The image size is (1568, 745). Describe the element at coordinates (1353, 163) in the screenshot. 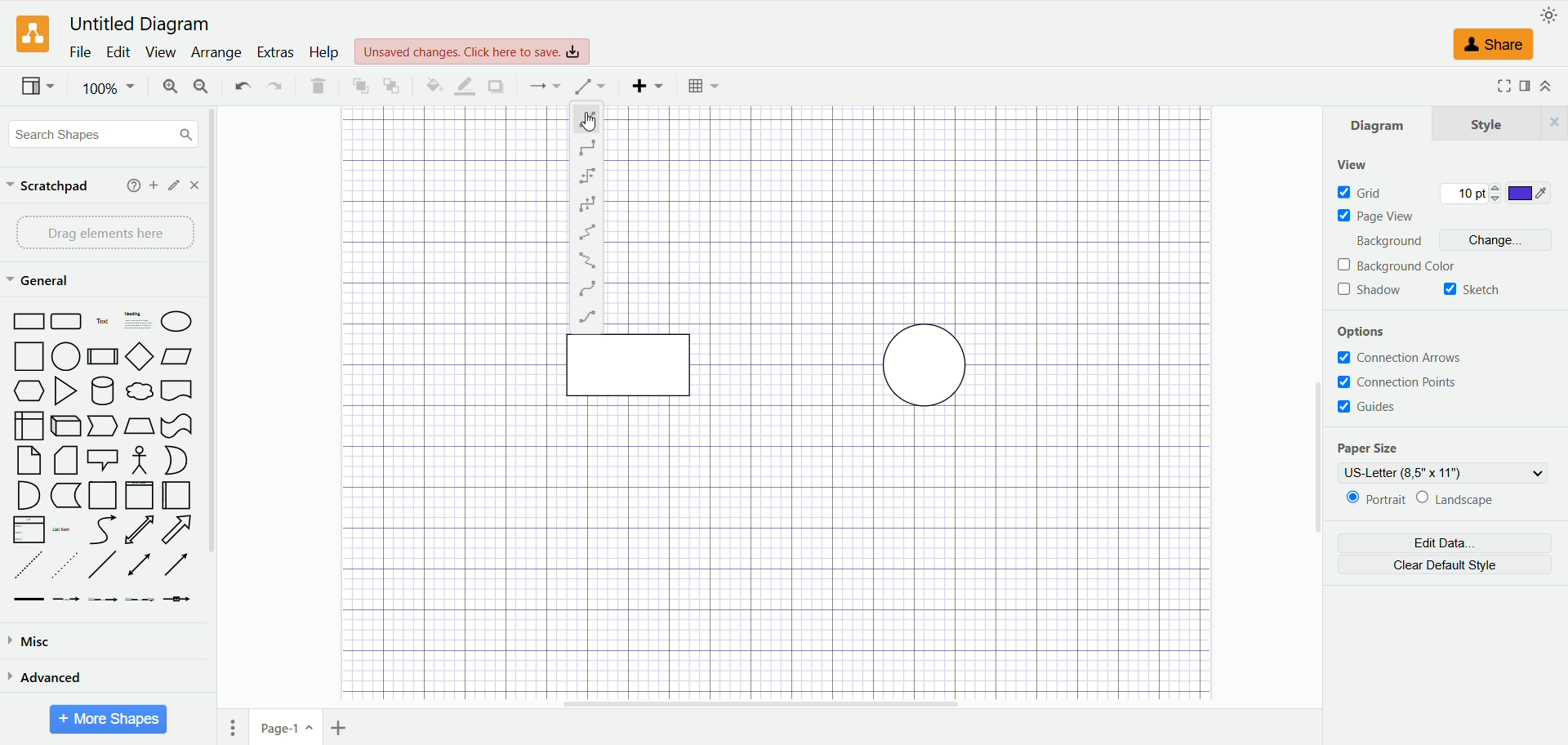

I see `view` at that location.